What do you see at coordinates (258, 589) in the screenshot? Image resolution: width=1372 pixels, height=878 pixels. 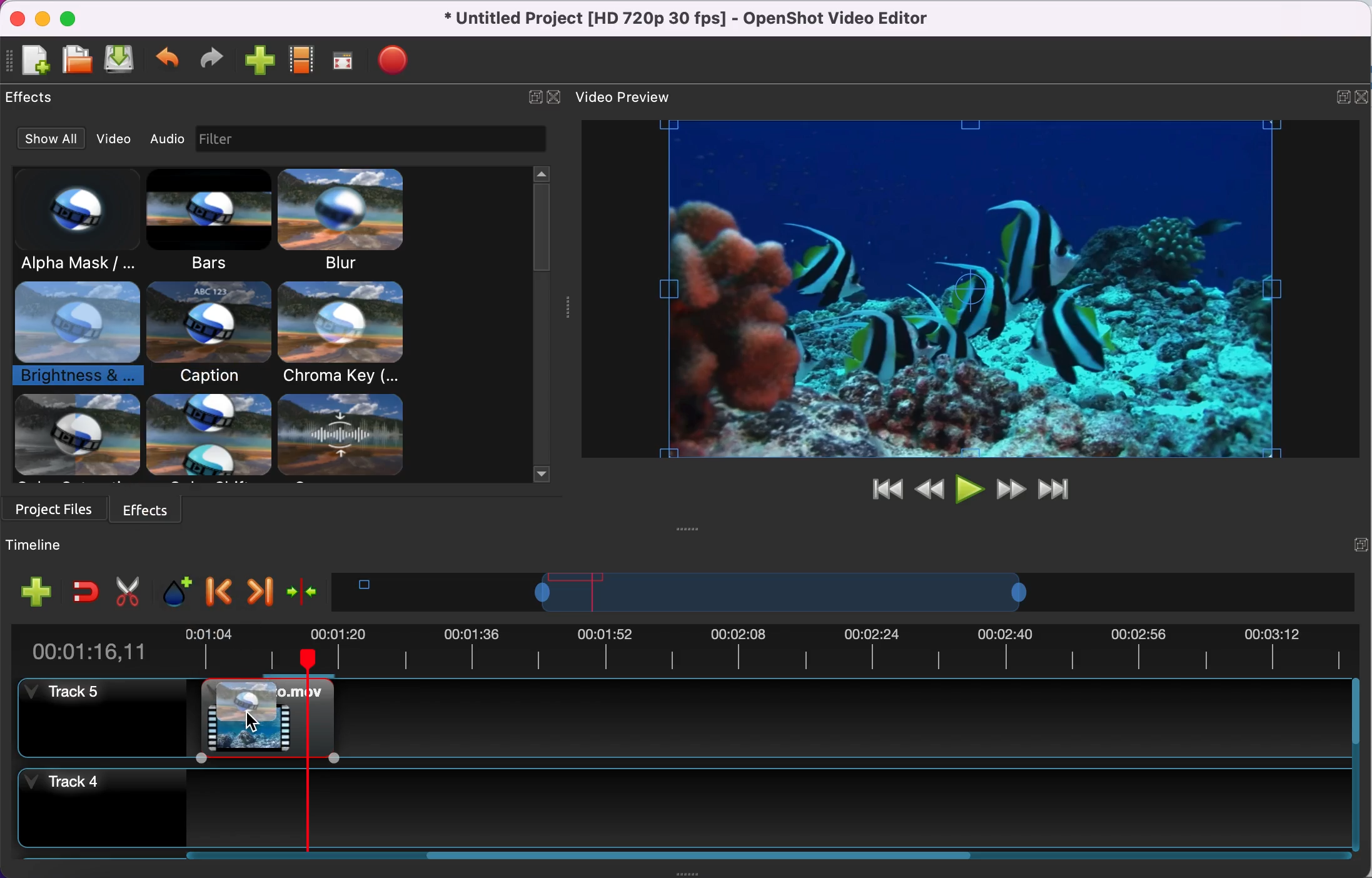 I see `next marker` at bounding box center [258, 589].